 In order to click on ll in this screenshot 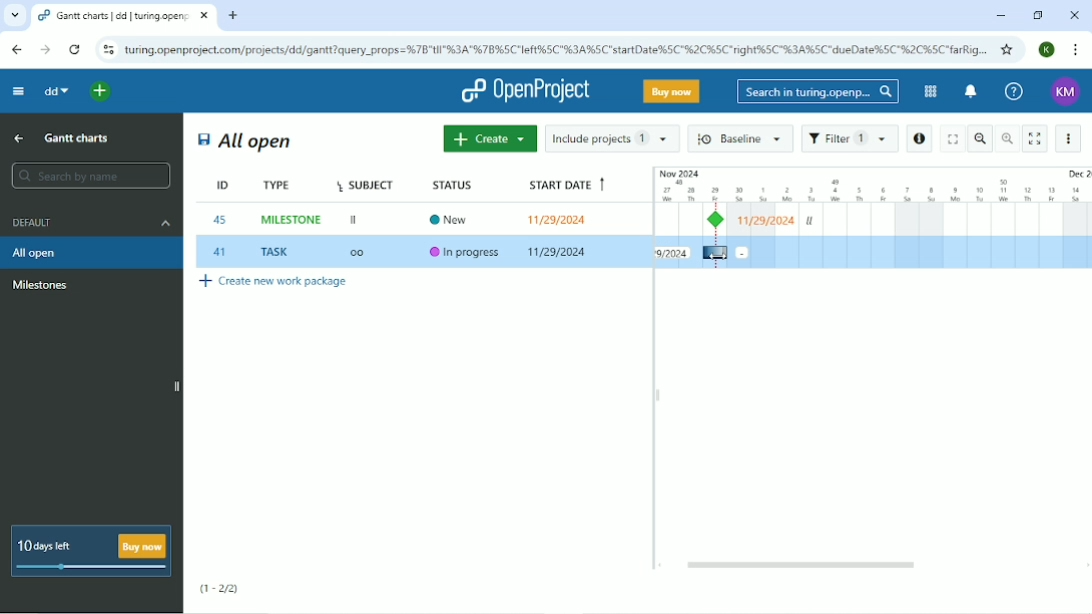, I will do `click(810, 221)`.